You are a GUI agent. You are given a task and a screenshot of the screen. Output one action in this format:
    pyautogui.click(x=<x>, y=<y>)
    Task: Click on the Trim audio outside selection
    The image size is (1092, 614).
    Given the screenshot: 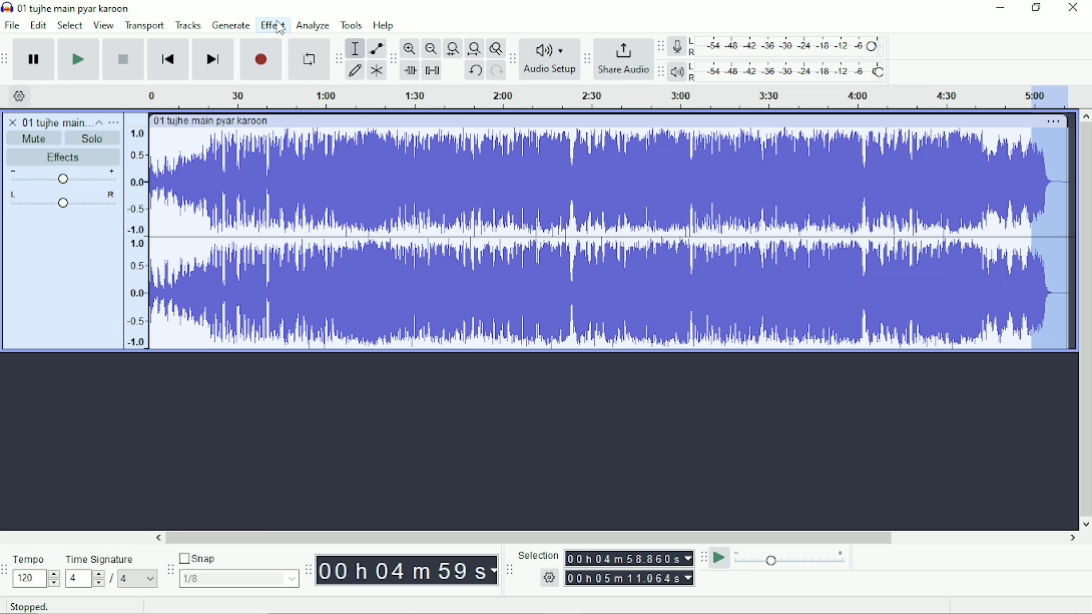 What is the action you would take?
    pyautogui.click(x=410, y=71)
    